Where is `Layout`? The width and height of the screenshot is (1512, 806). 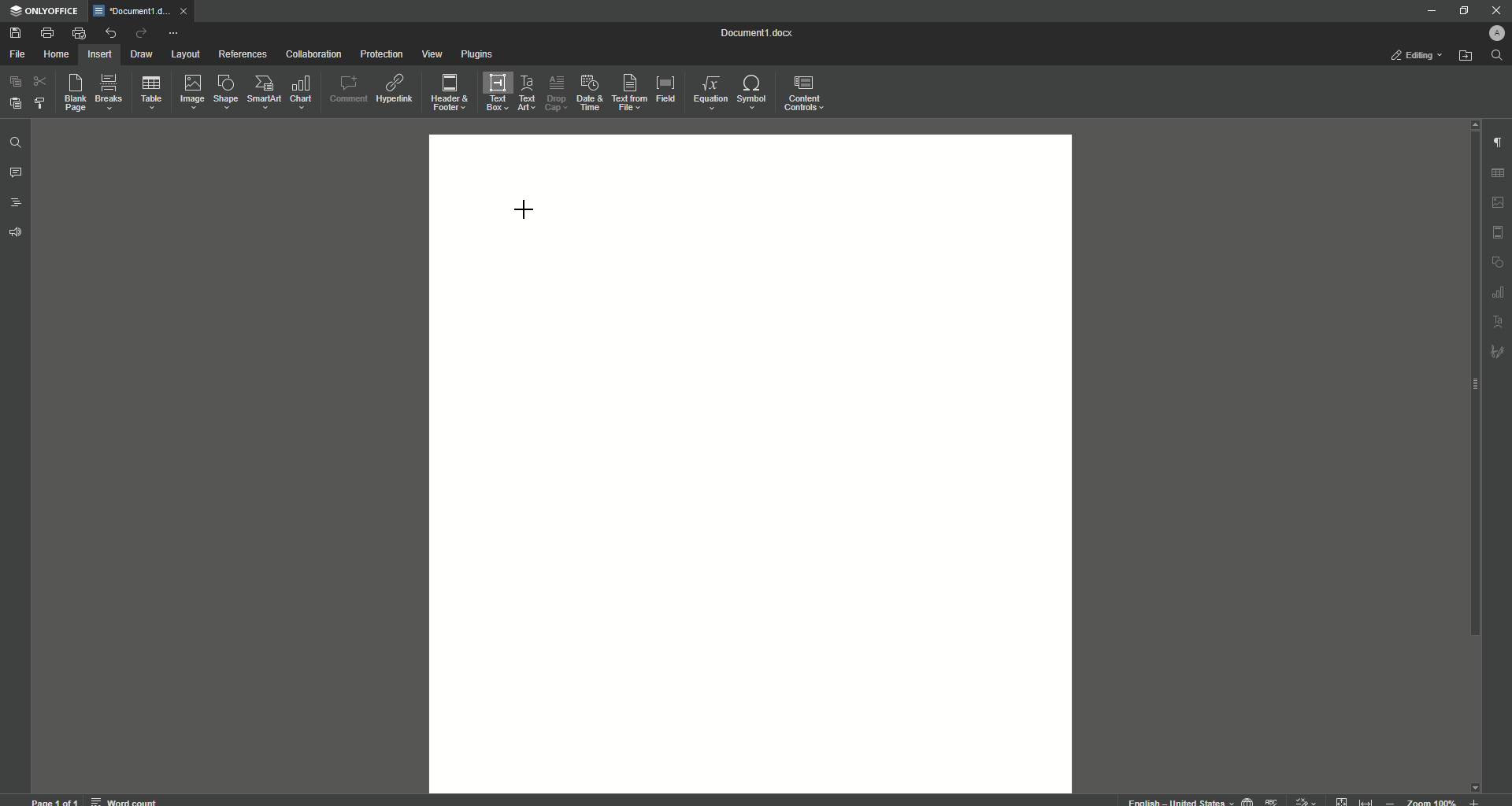 Layout is located at coordinates (185, 54).